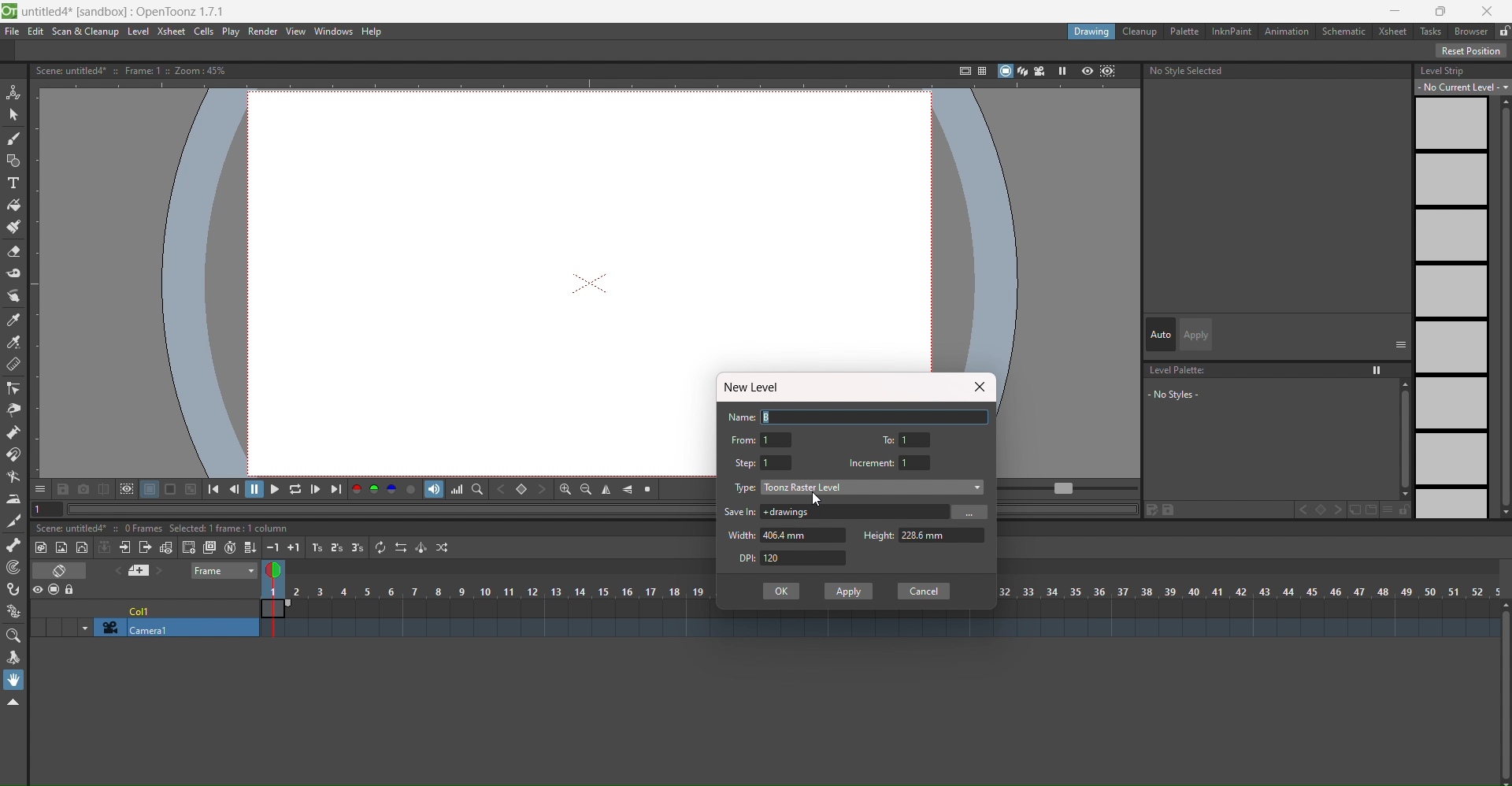 This screenshot has height=786, width=1512. I want to click on tool, so click(83, 488).